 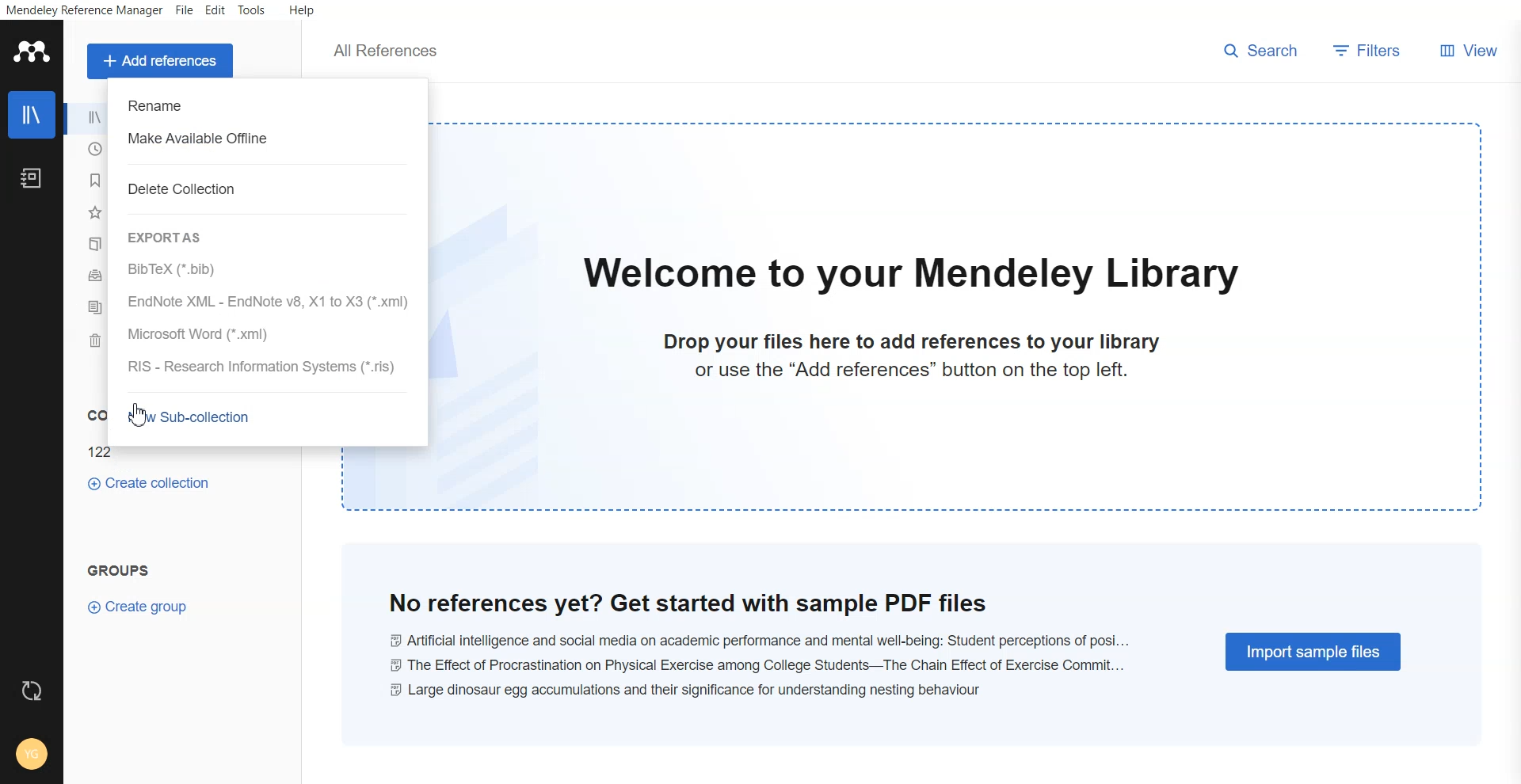 What do you see at coordinates (251, 137) in the screenshot?
I see `Make available Offline` at bounding box center [251, 137].